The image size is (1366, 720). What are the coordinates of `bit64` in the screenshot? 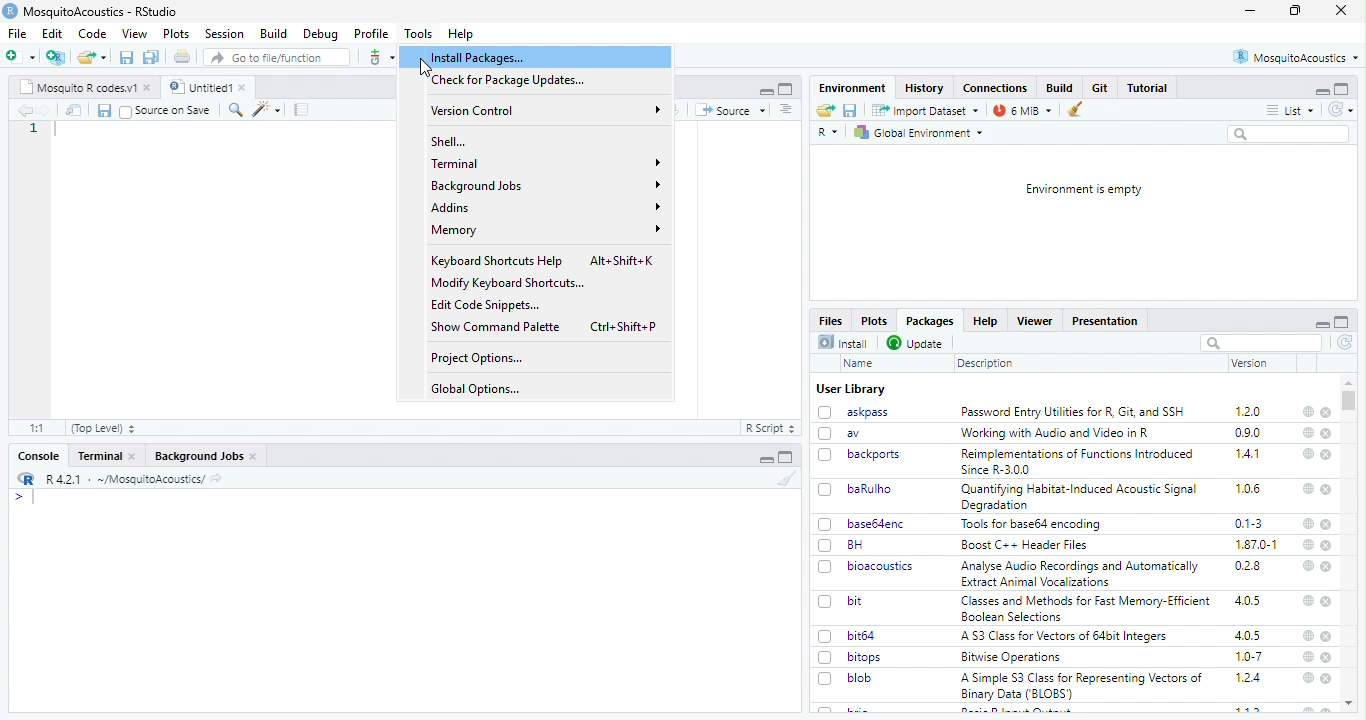 It's located at (862, 636).